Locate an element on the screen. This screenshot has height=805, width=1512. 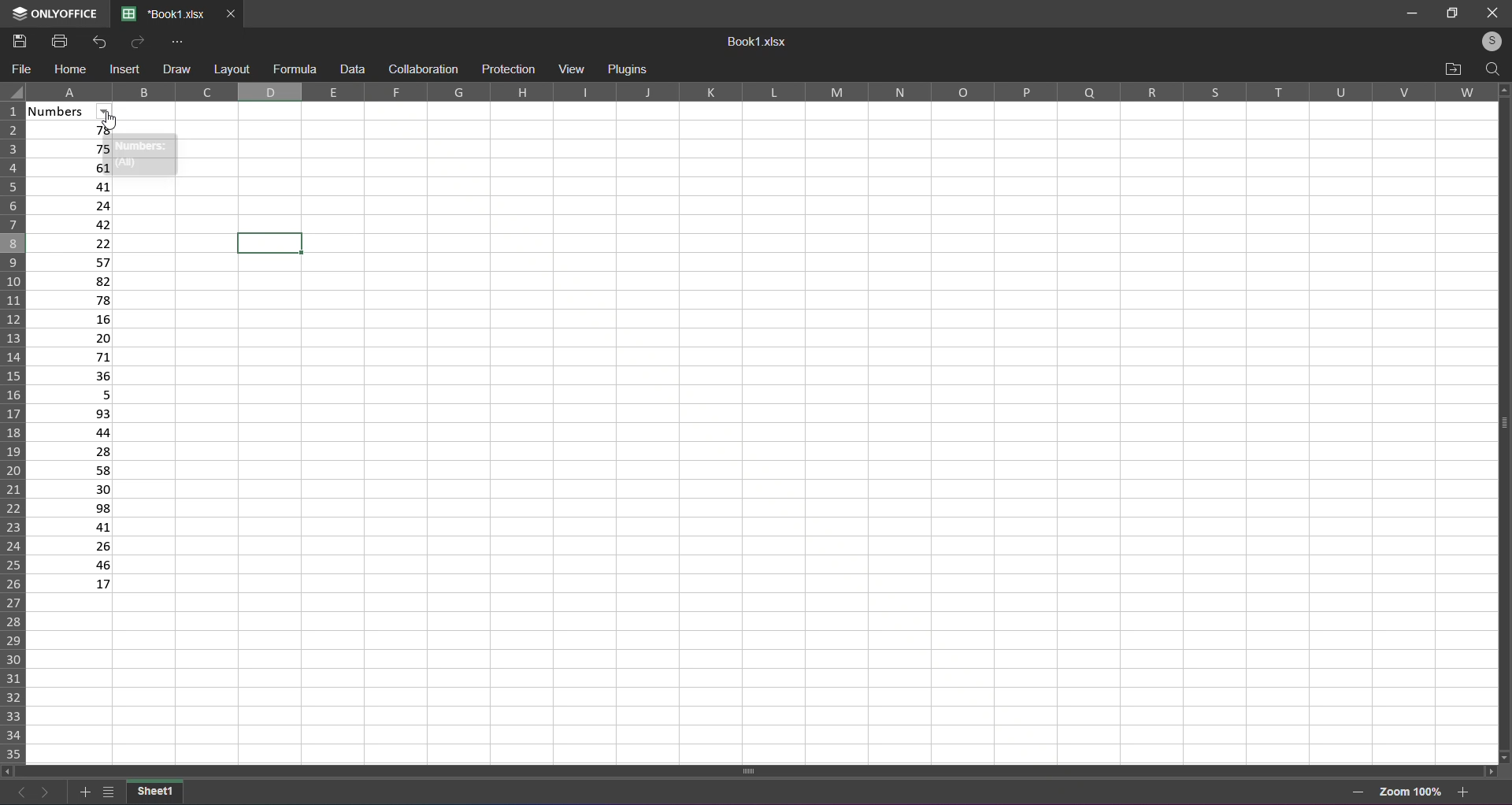
Zoom in is located at coordinates (1465, 791).